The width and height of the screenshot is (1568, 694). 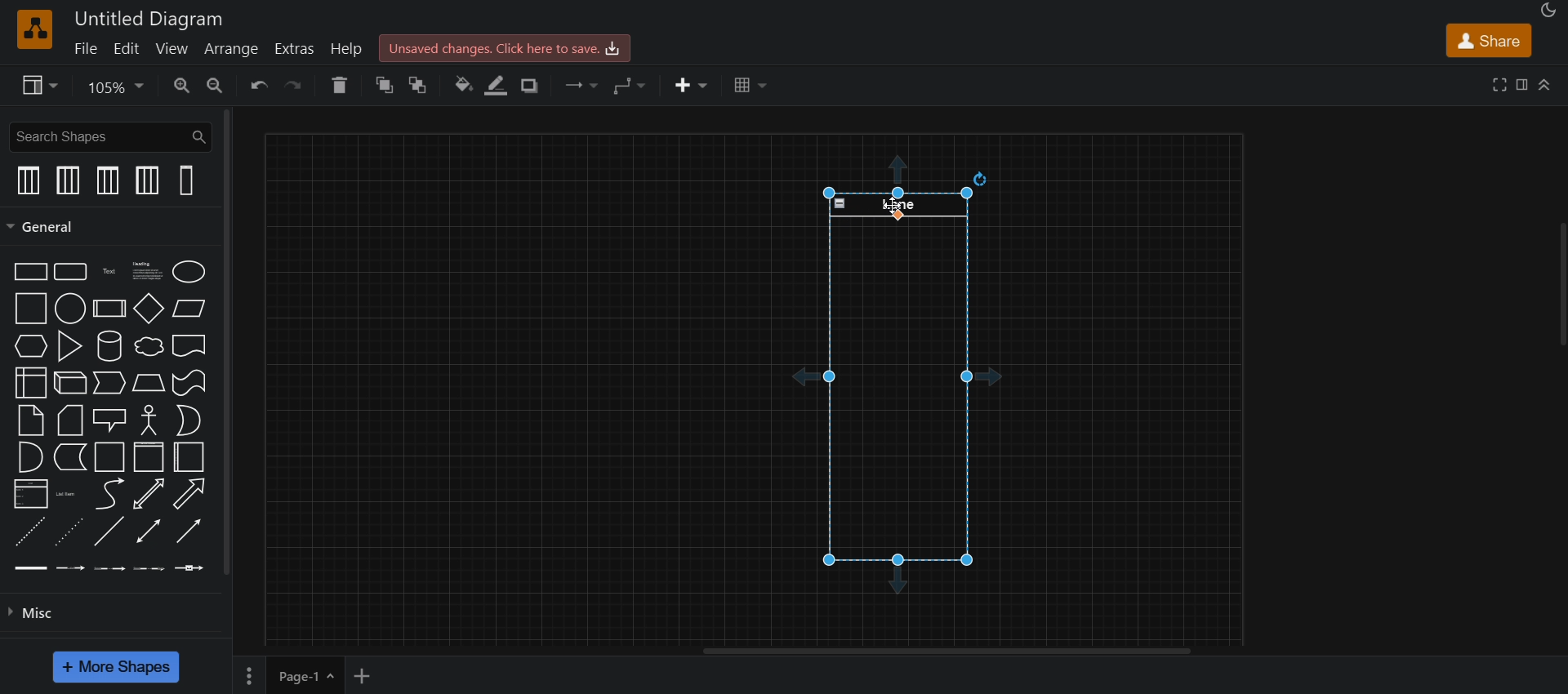 What do you see at coordinates (67, 385) in the screenshot?
I see `cube` at bounding box center [67, 385].